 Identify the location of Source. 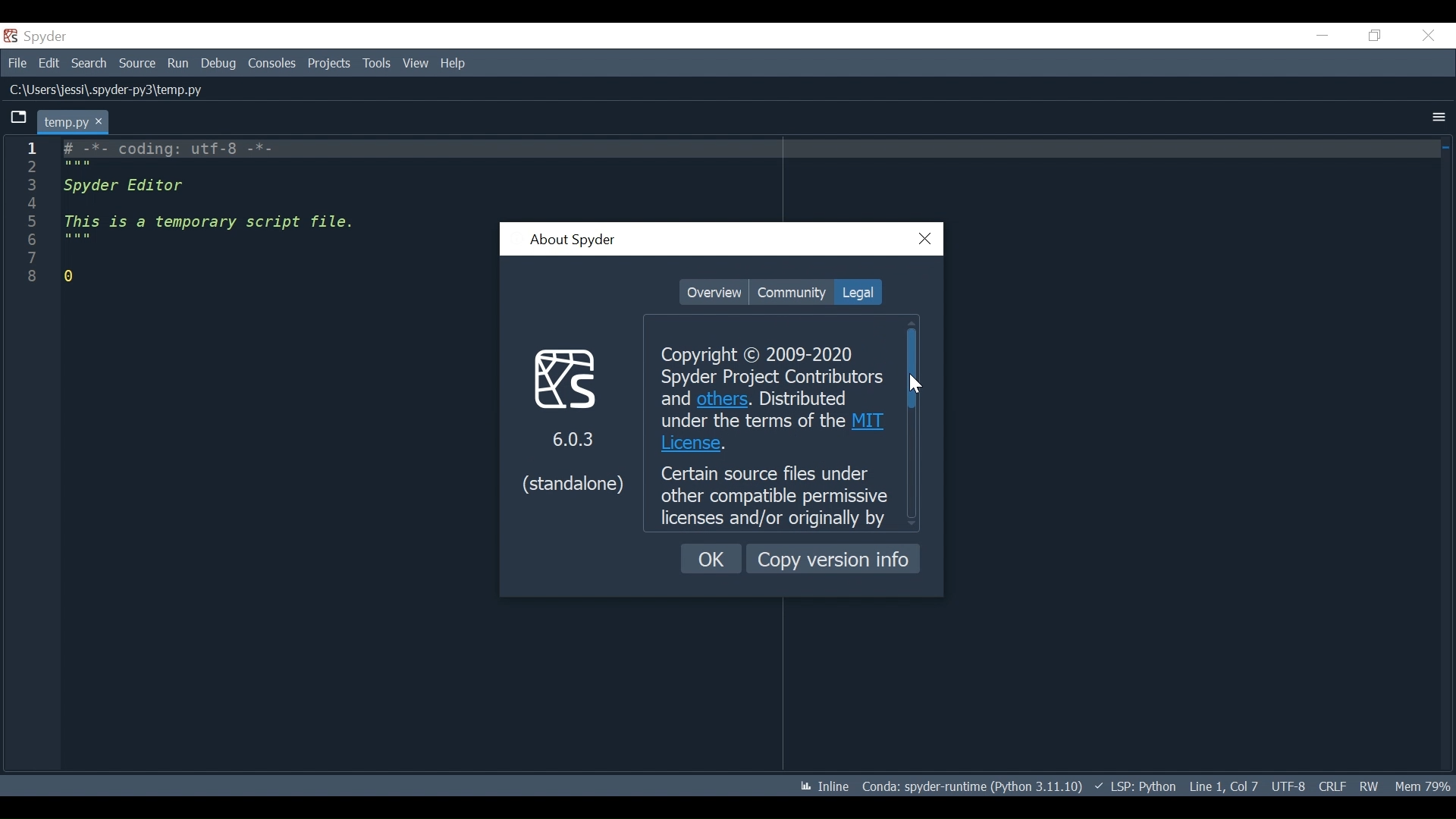
(137, 64).